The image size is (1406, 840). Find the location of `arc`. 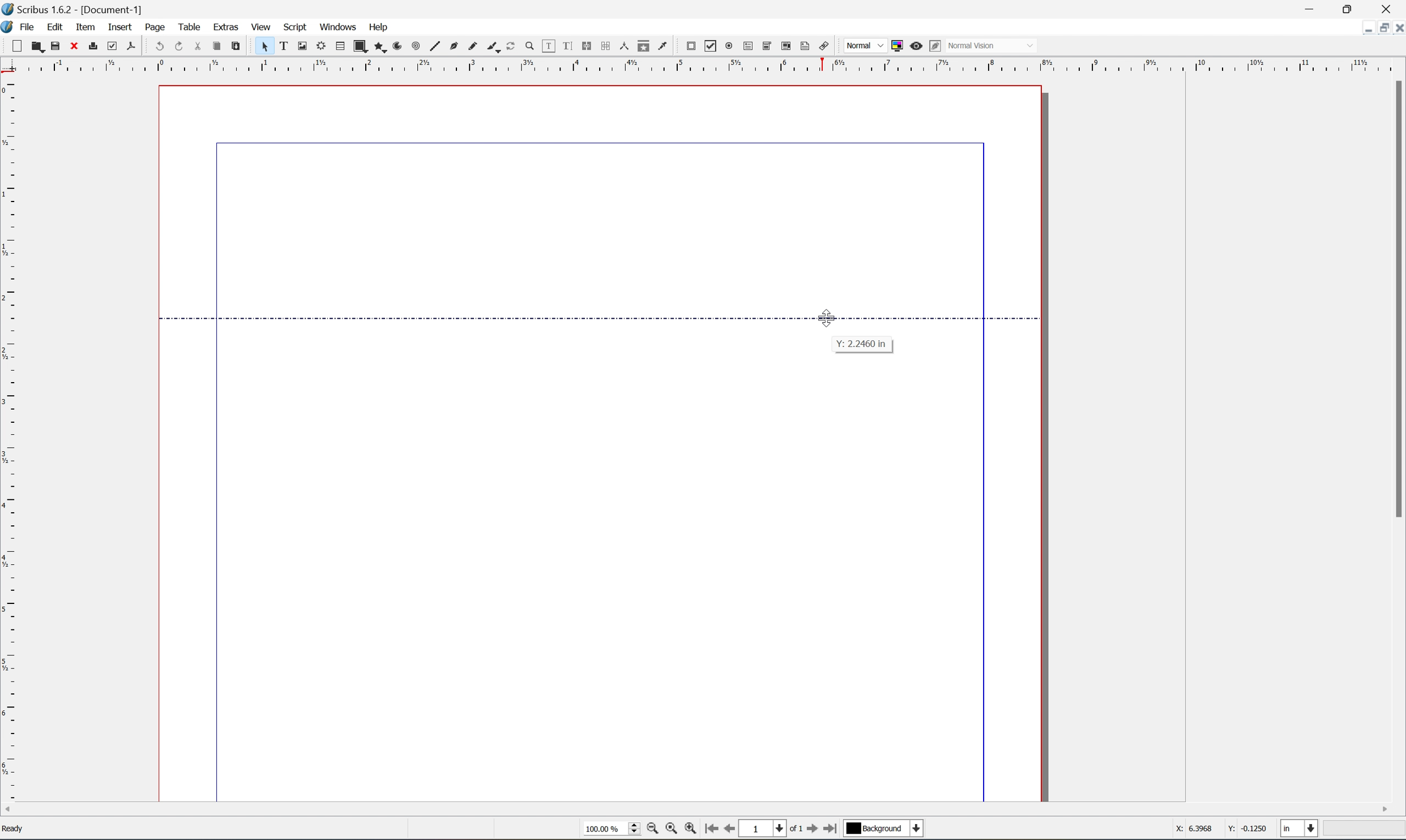

arc is located at coordinates (398, 46).